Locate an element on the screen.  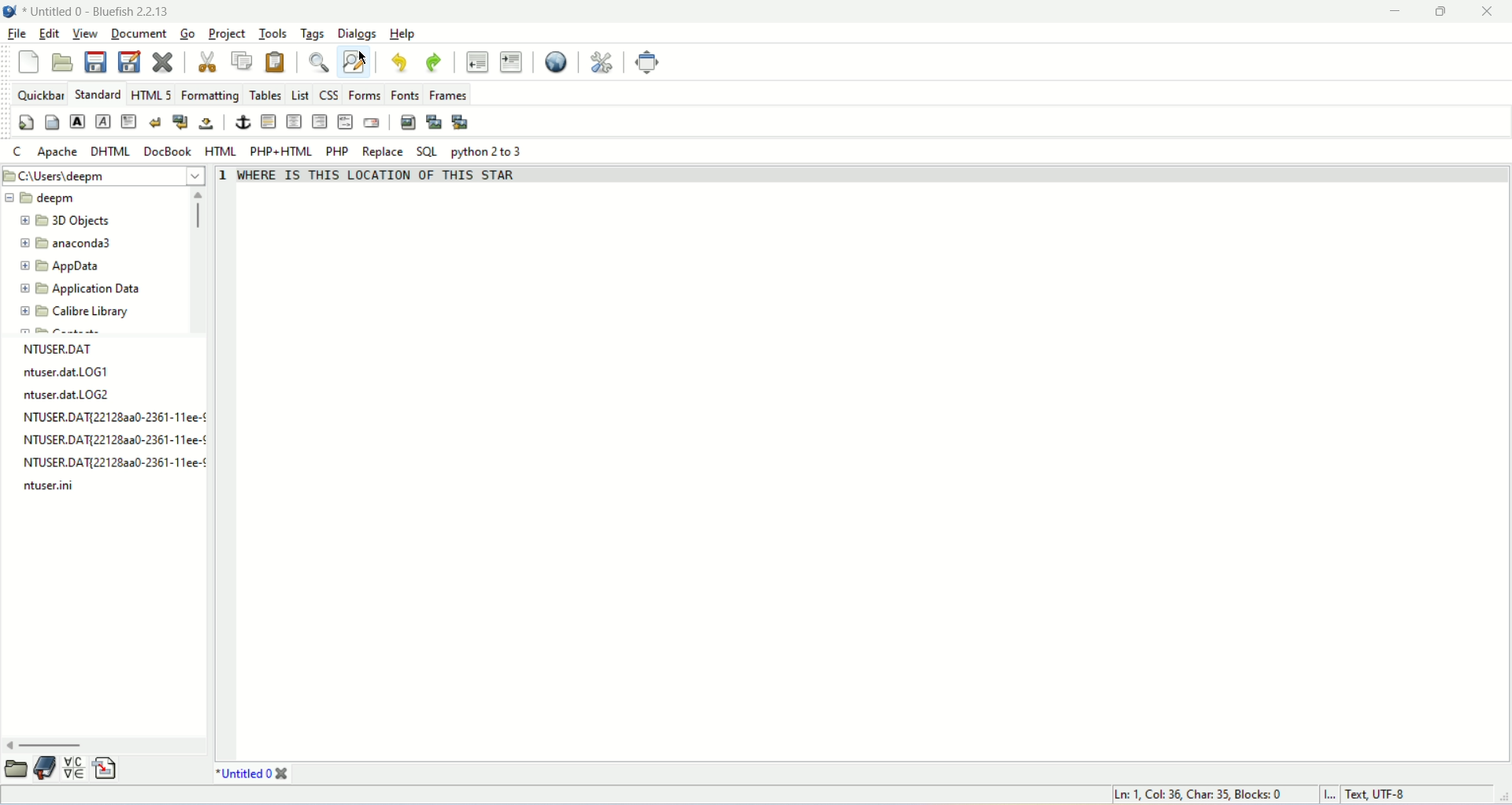
view in browser is located at coordinates (555, 63).